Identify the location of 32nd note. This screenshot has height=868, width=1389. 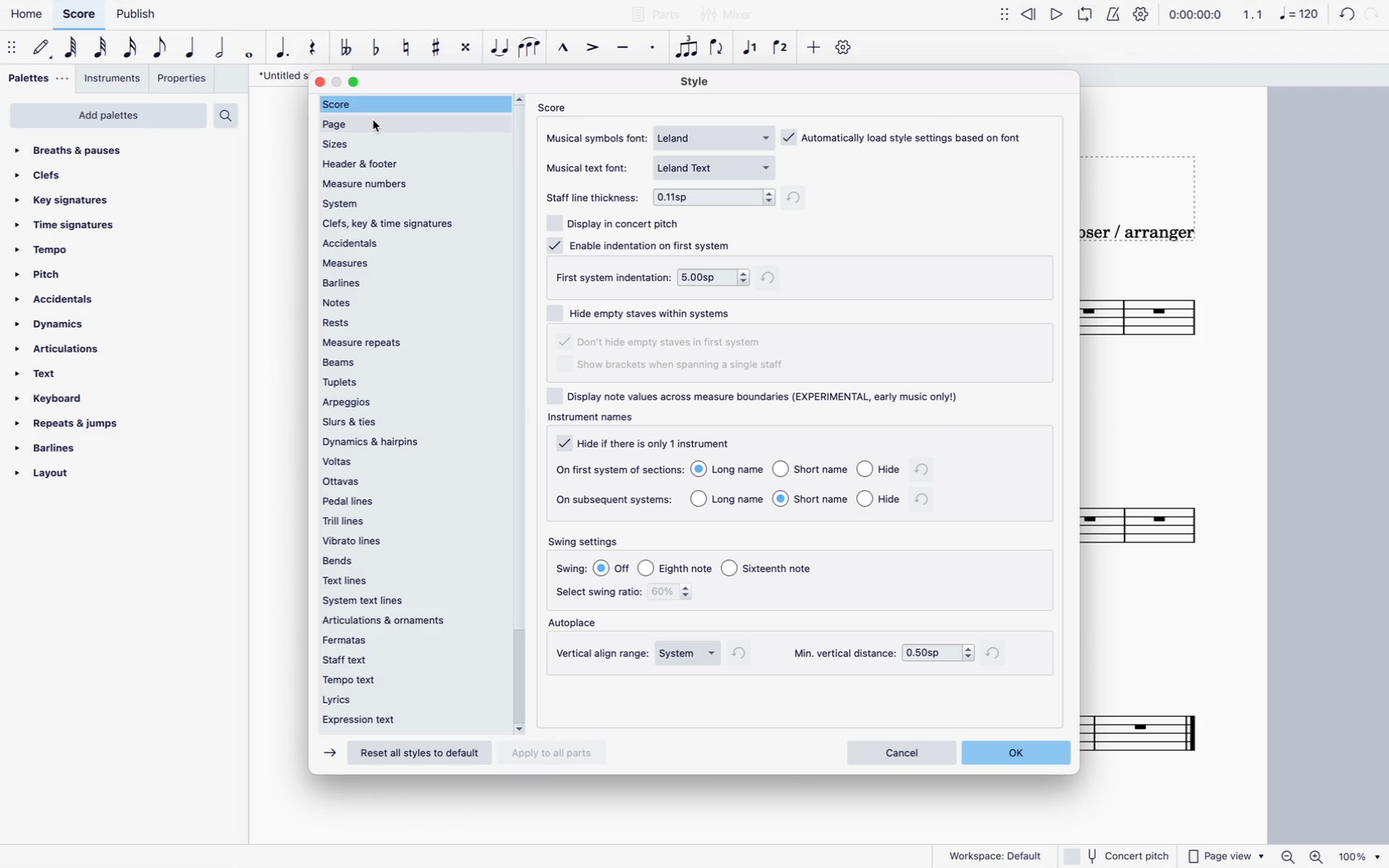
(100, 49).